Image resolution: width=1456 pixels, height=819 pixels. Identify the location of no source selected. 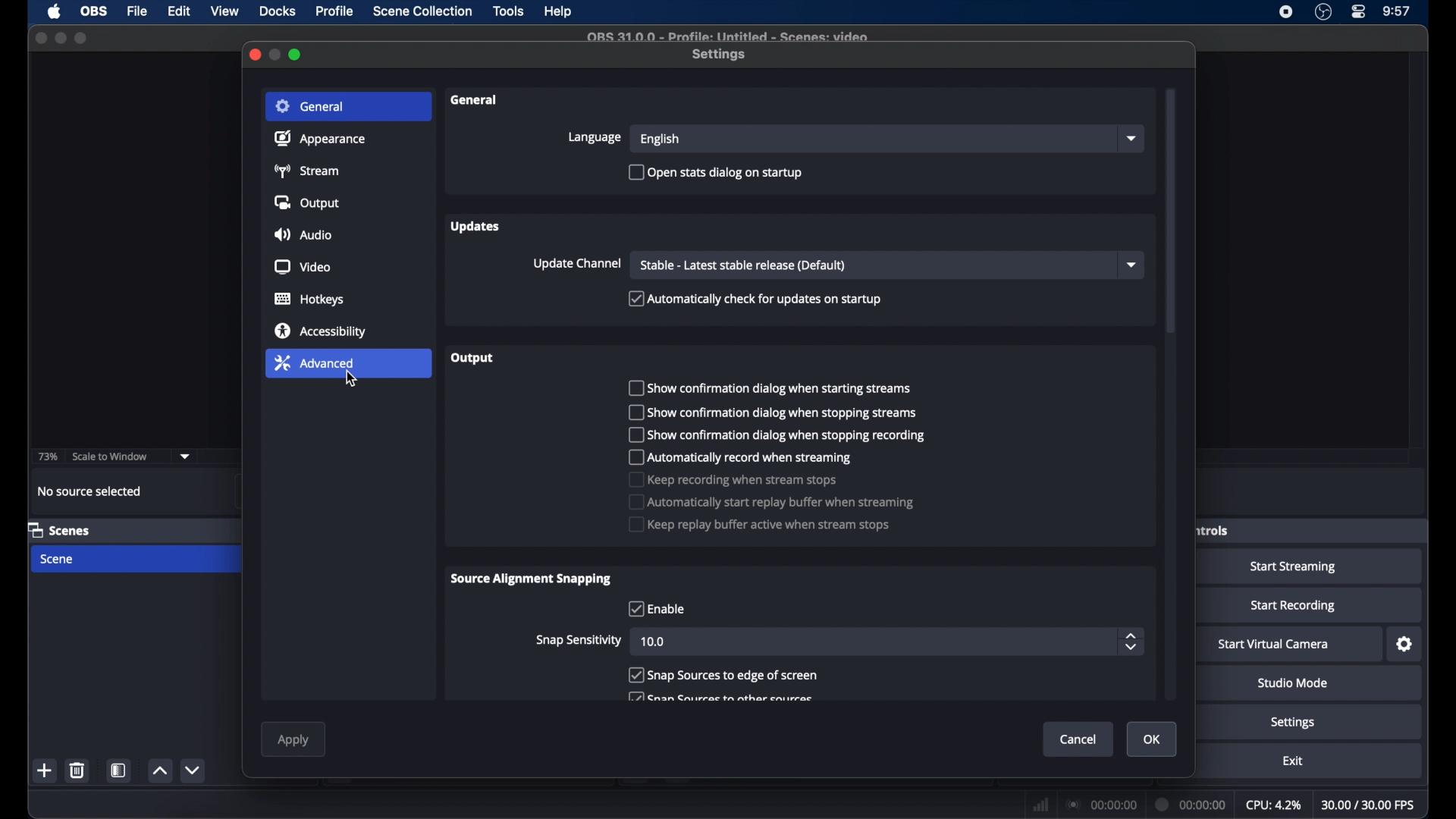
(90, 491).